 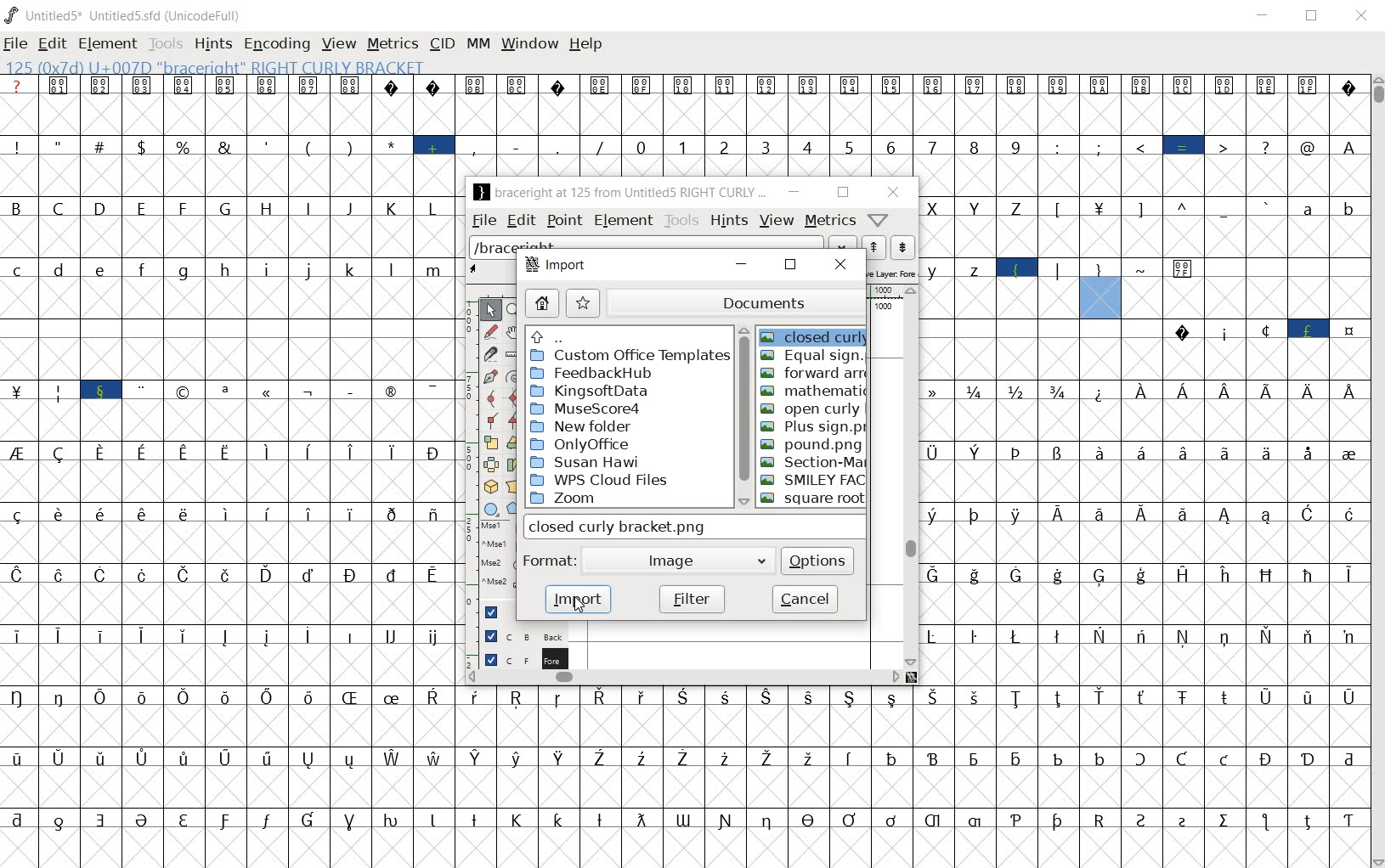 I want to click on restore down, so click(x=843, y=192).